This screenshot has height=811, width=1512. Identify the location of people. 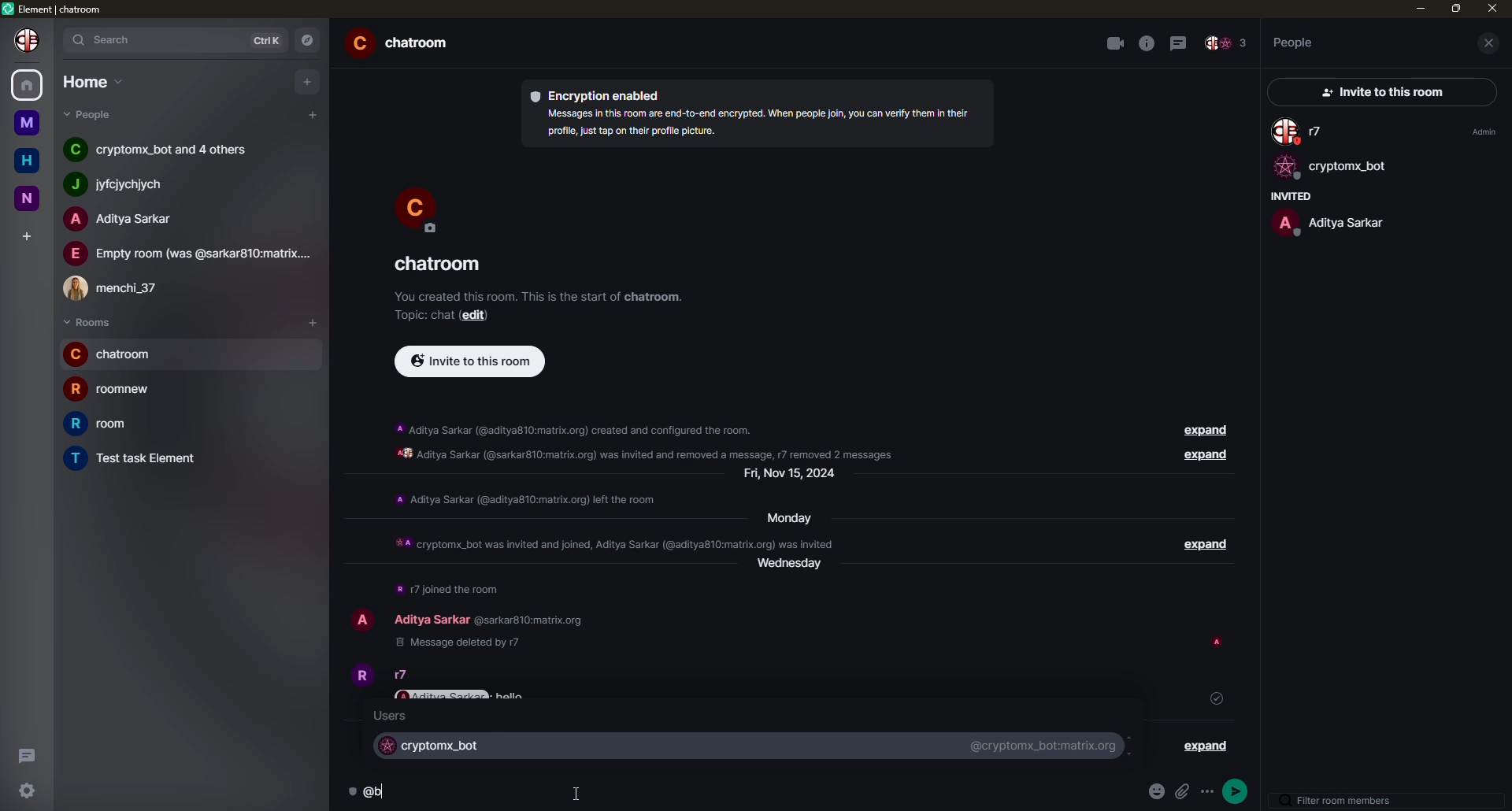
(1301, 132).